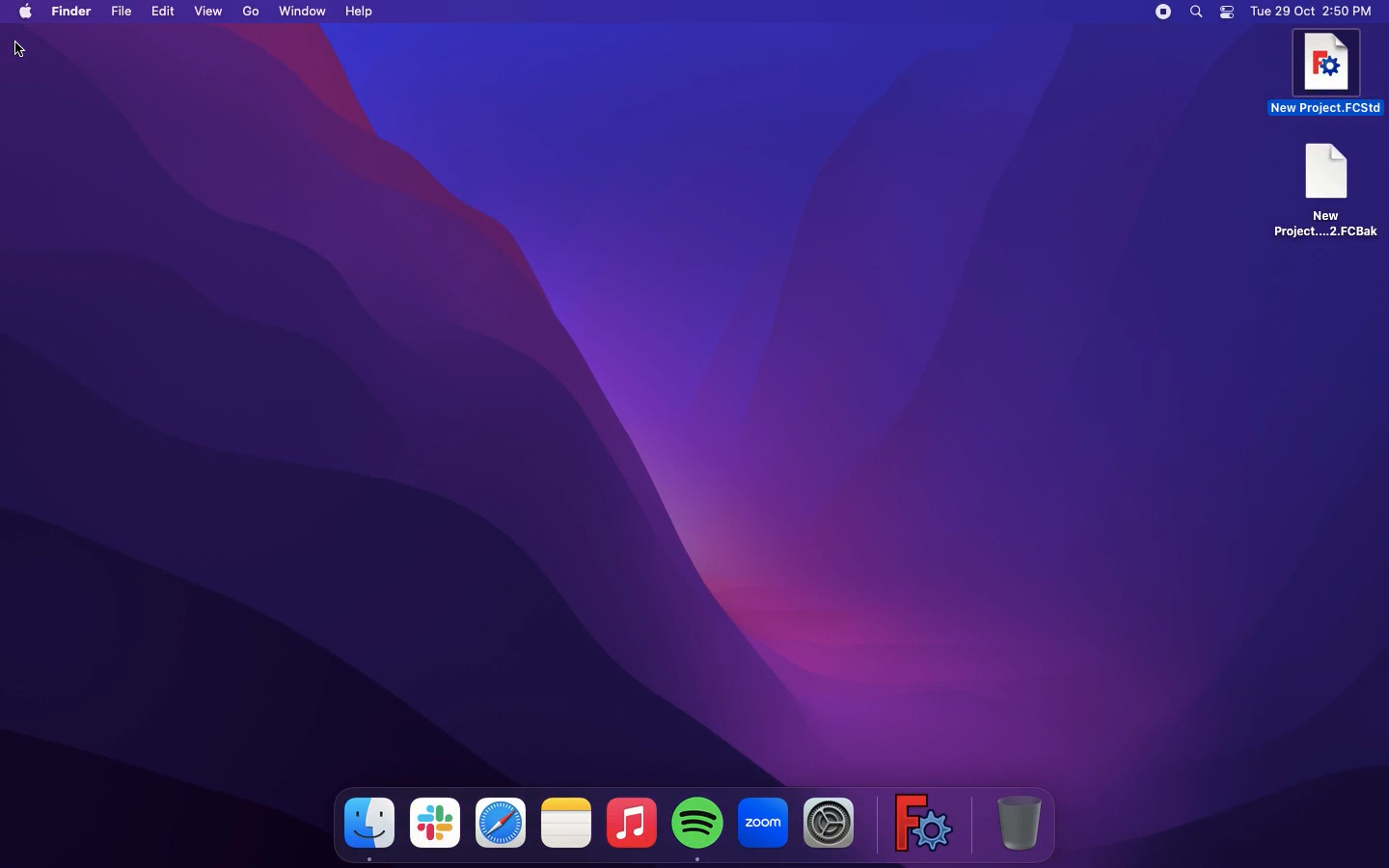 The width and height of the screenshot is (1389, 868). What do you see at coordinates (164, 12) in the screenshot?
I see `Edit` at bounding box center [164, 12].